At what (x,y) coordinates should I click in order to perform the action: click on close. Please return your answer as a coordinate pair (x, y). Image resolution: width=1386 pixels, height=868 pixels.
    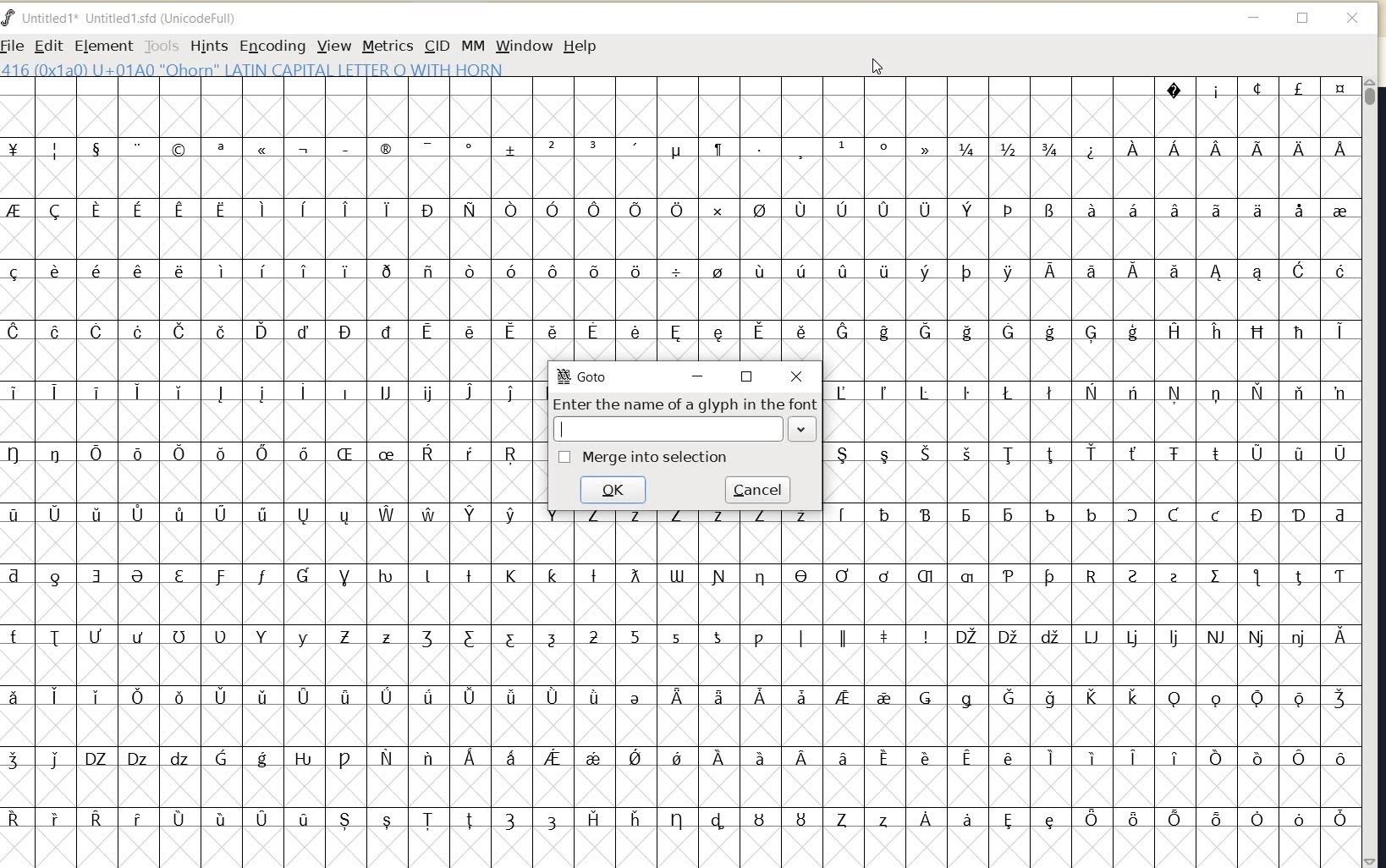
    Looking at the image, I should click on (796, 375).